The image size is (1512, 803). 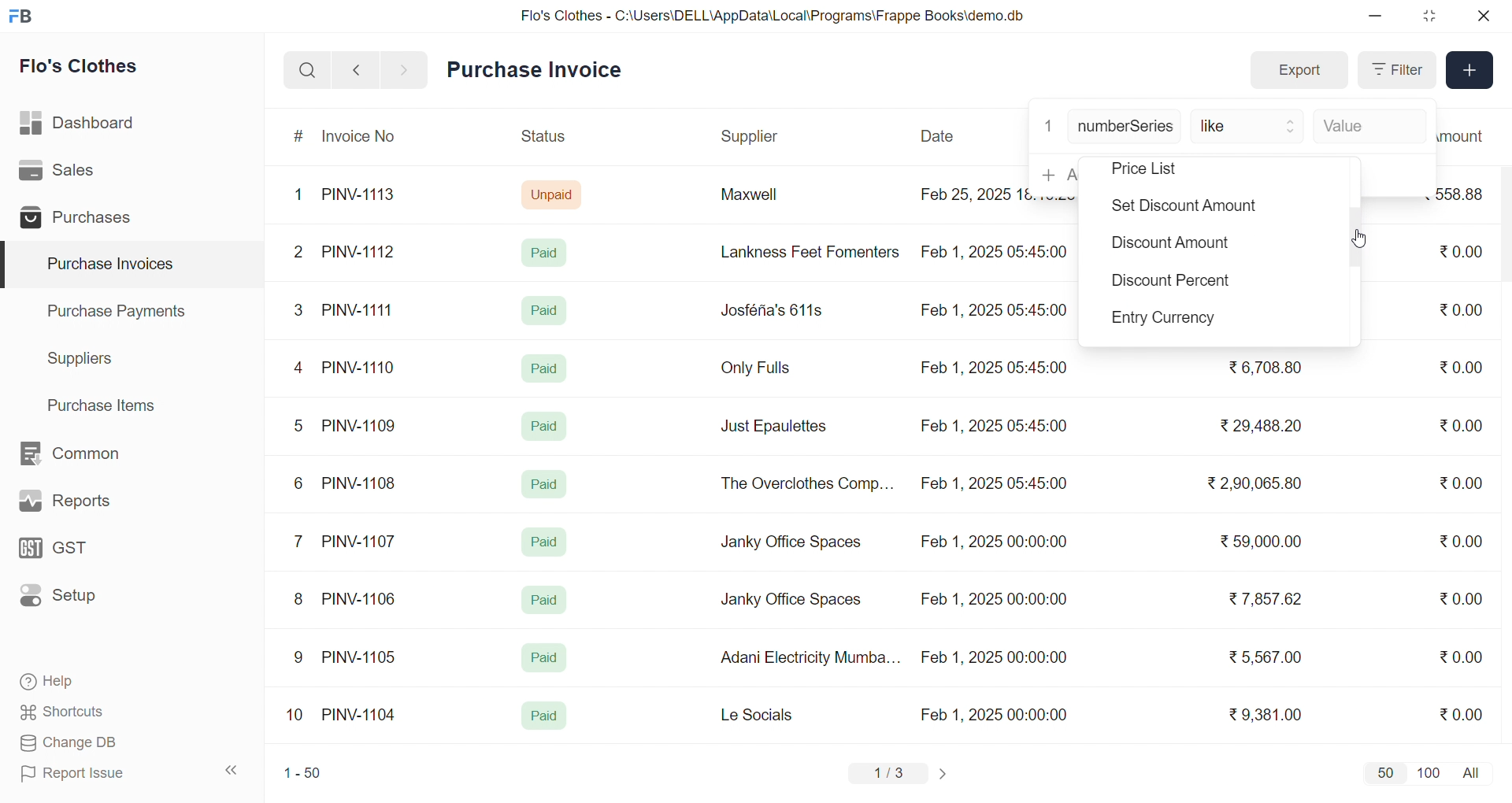 What do you see at coordinates (302, 540) in the screenshot?
I see `7` at bounding box center [302, 540].